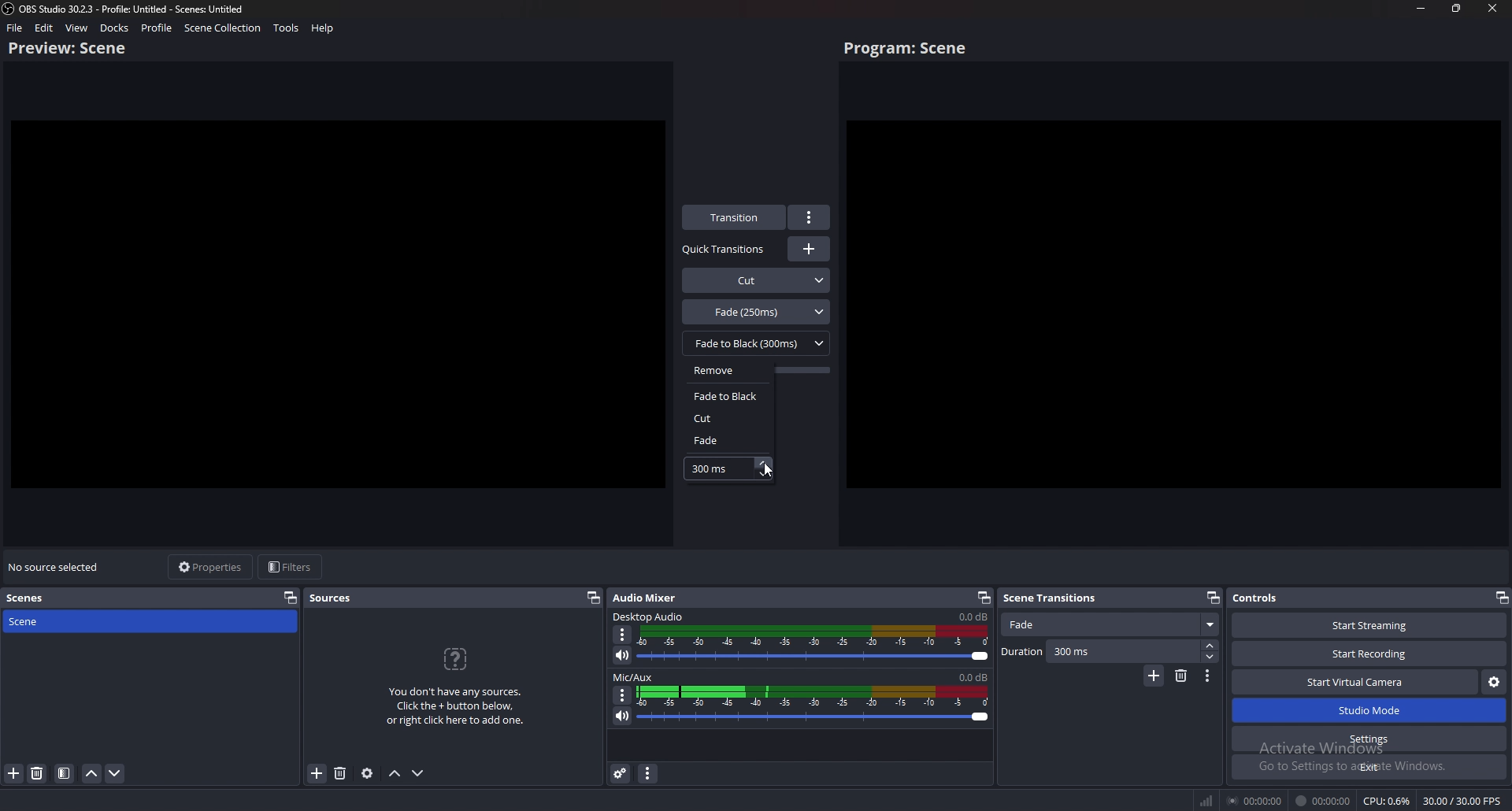 The image size is (1512, 811). I want to click on Quick transitions, so click(725, 250).